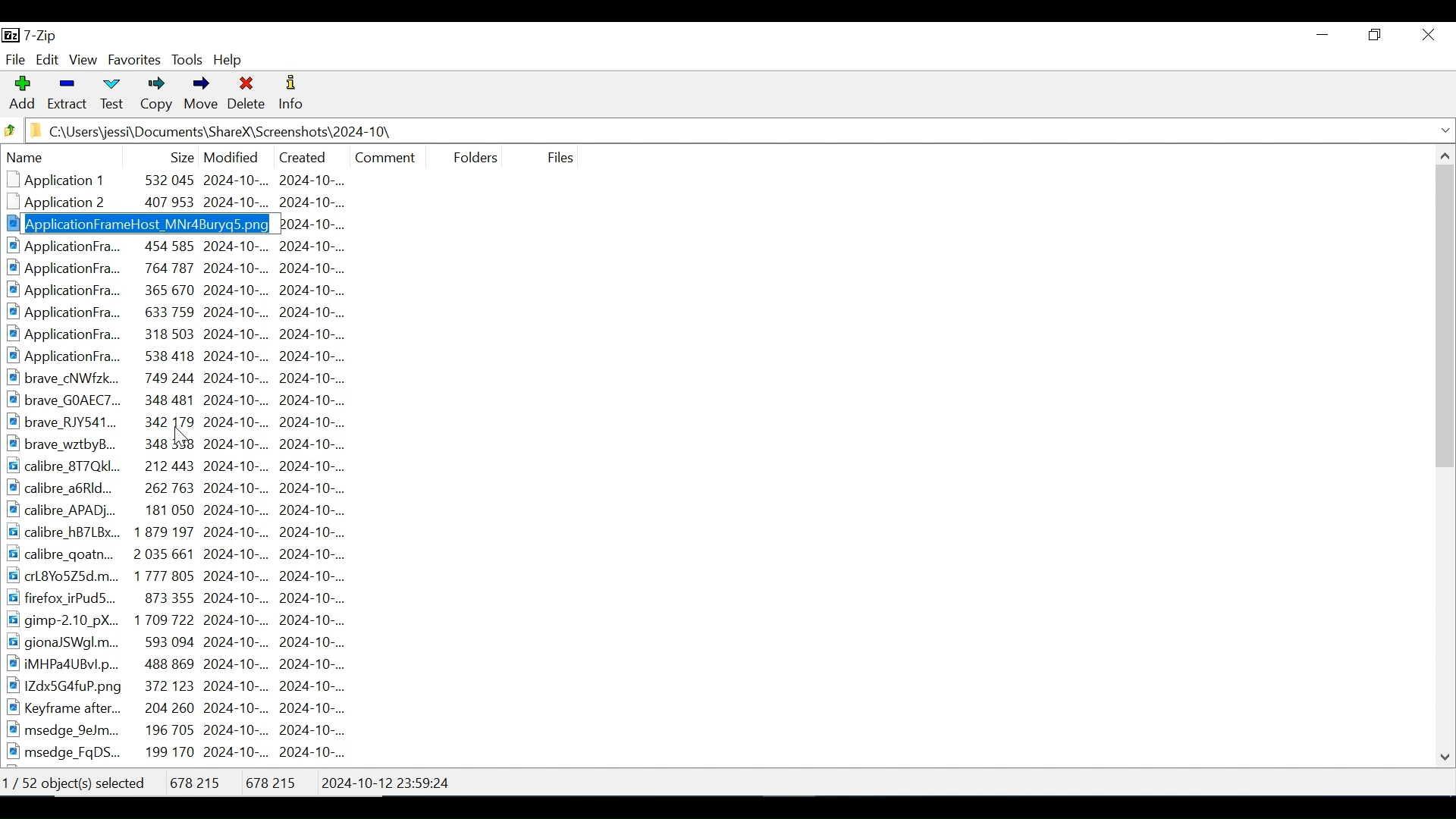  Describe the element at coordinates (292, 95) in the screenshot. I see `Information` at that location.